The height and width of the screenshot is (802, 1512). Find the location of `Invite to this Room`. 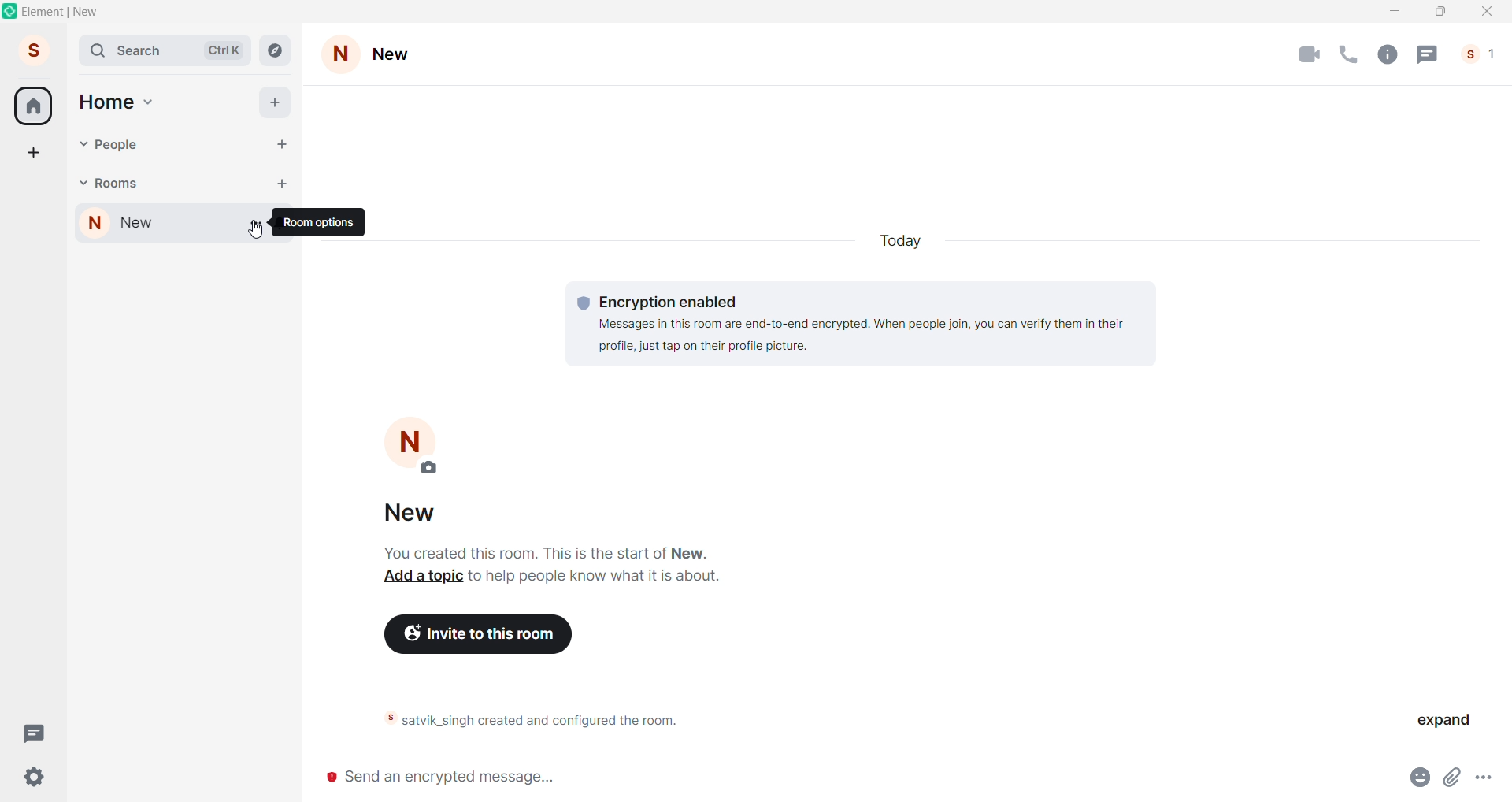

Invite to this Room is located at coordinates (486, 633).